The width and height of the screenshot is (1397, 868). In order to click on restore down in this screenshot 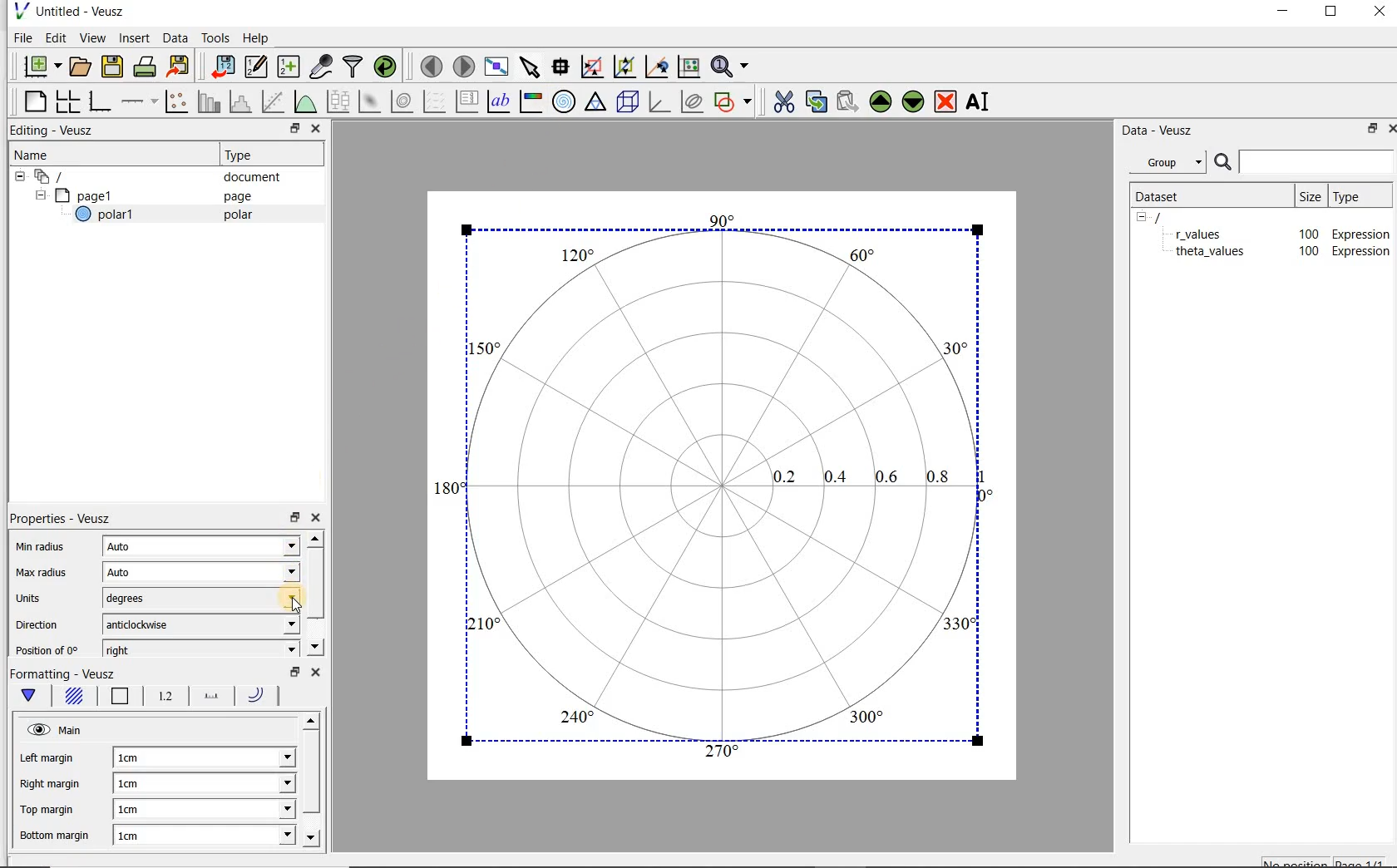, I will do `click(289, 515)`.